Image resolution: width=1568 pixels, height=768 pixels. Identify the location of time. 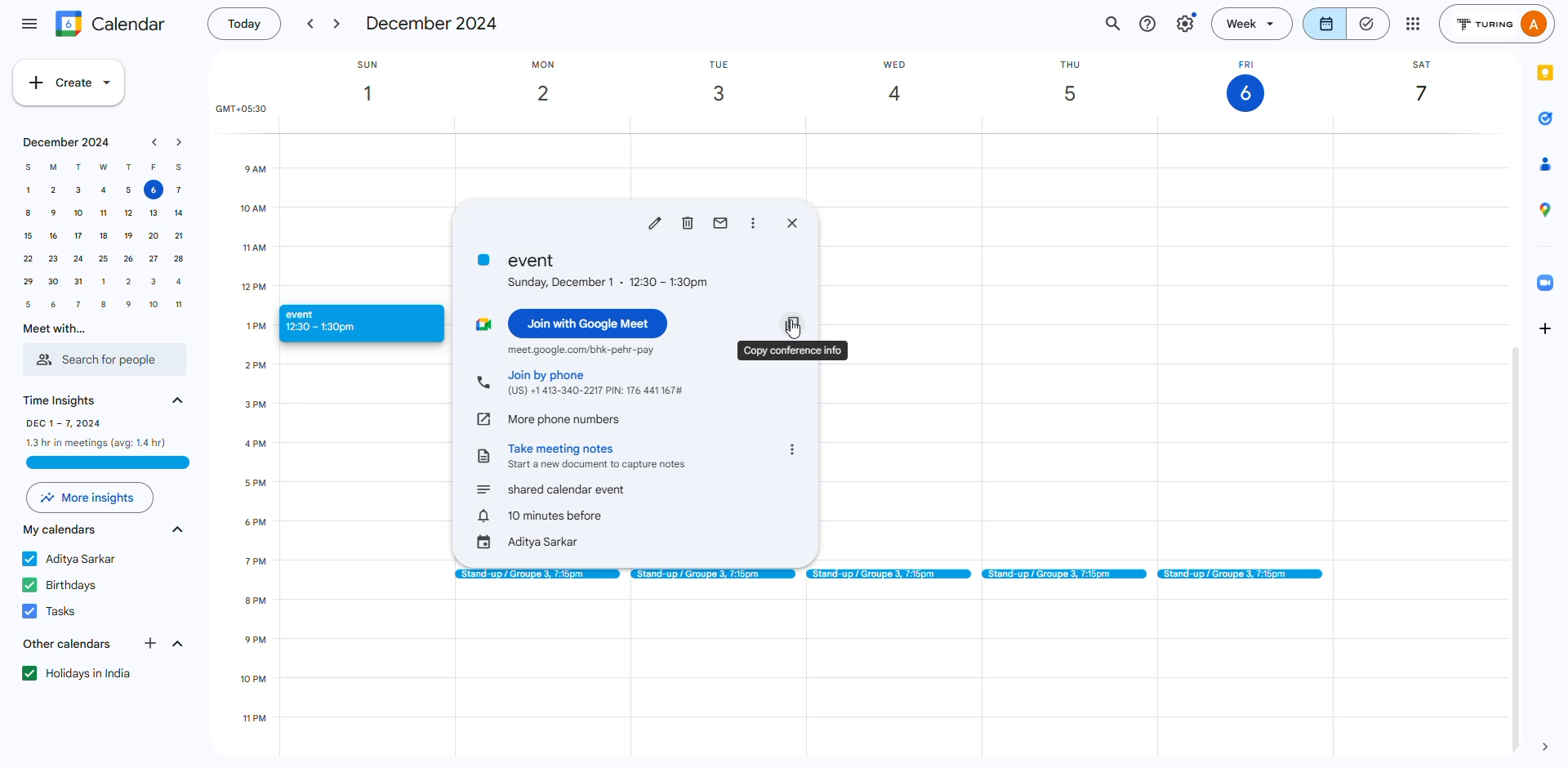
(543, 516).